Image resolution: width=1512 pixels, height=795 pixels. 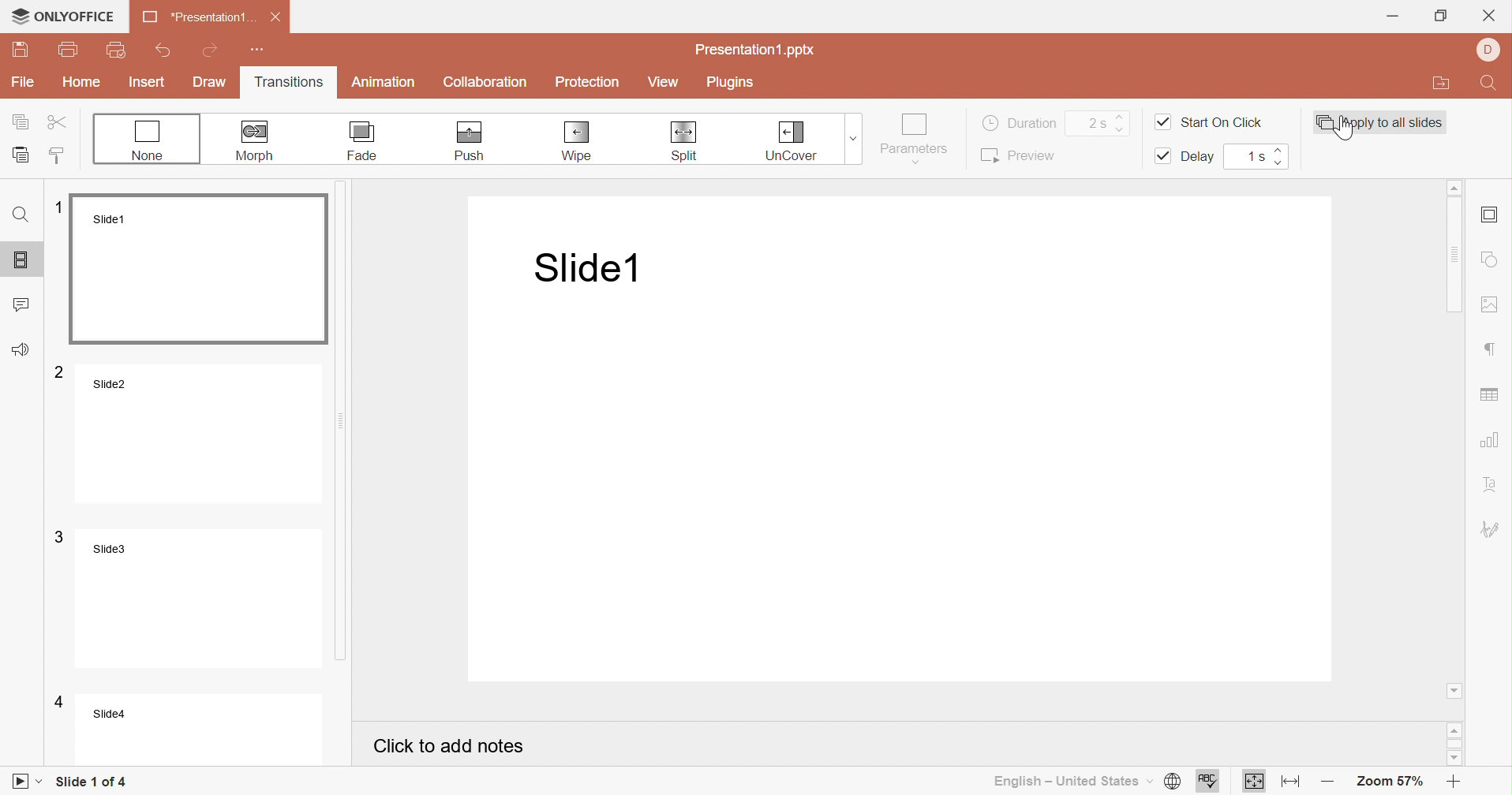 What do you see at coordinates (1454, 784) in the screenshot?
I see `Zoom in` at bounding box center [1454, 784].